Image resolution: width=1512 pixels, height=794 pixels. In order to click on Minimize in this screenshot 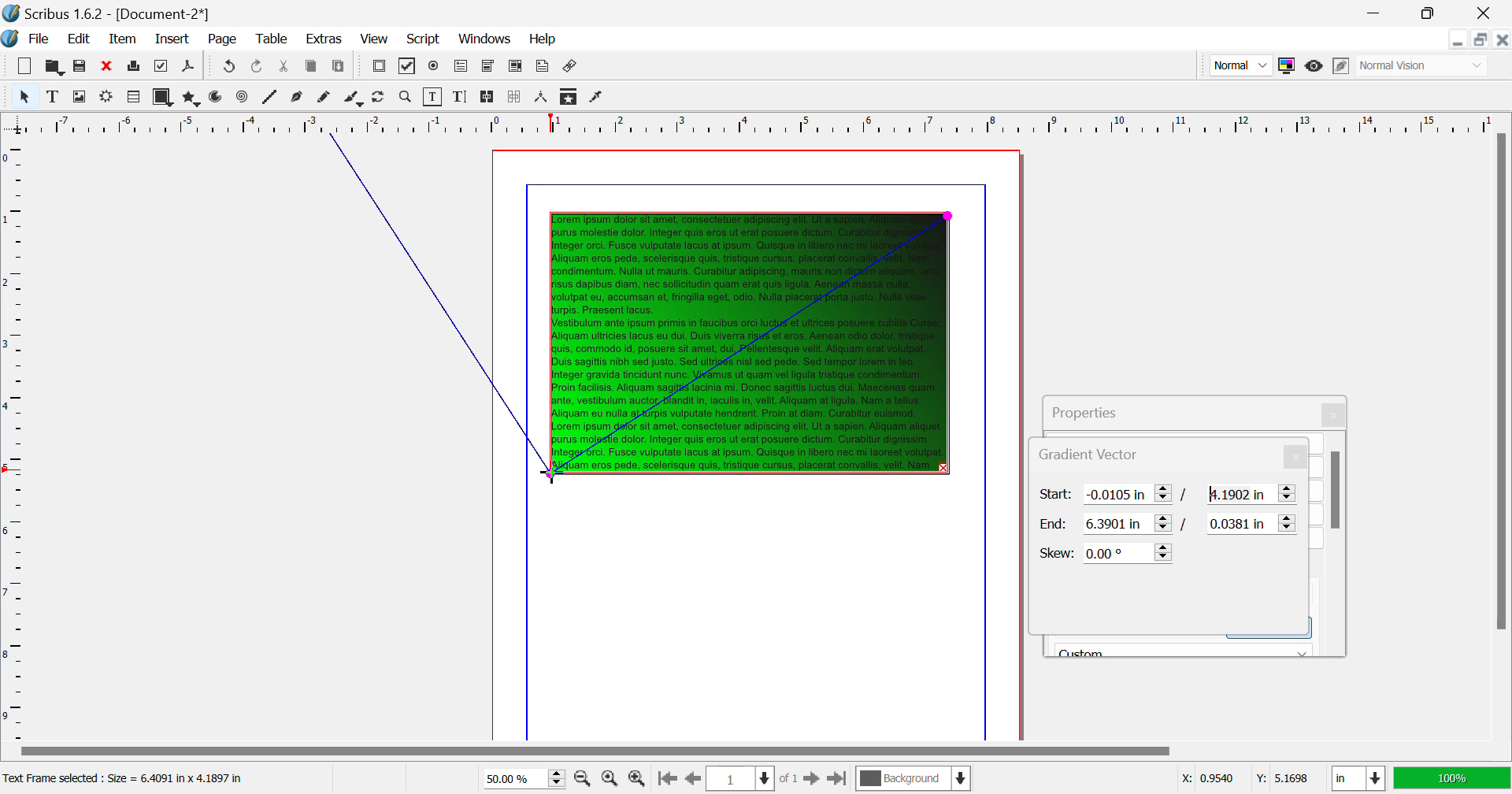, I will do `click(1482, 39)`.